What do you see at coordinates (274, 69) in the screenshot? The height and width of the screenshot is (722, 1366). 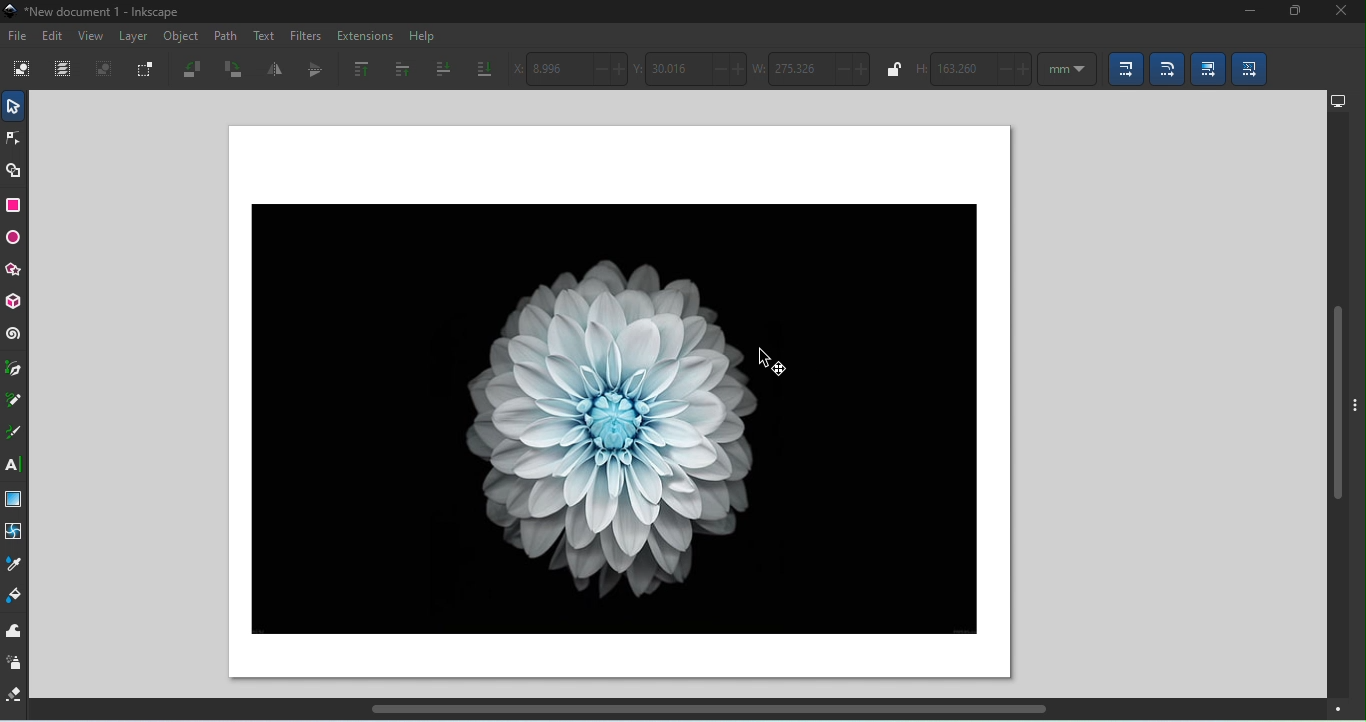 I see `Object flip horizontally` at bounding box center [274, 69].